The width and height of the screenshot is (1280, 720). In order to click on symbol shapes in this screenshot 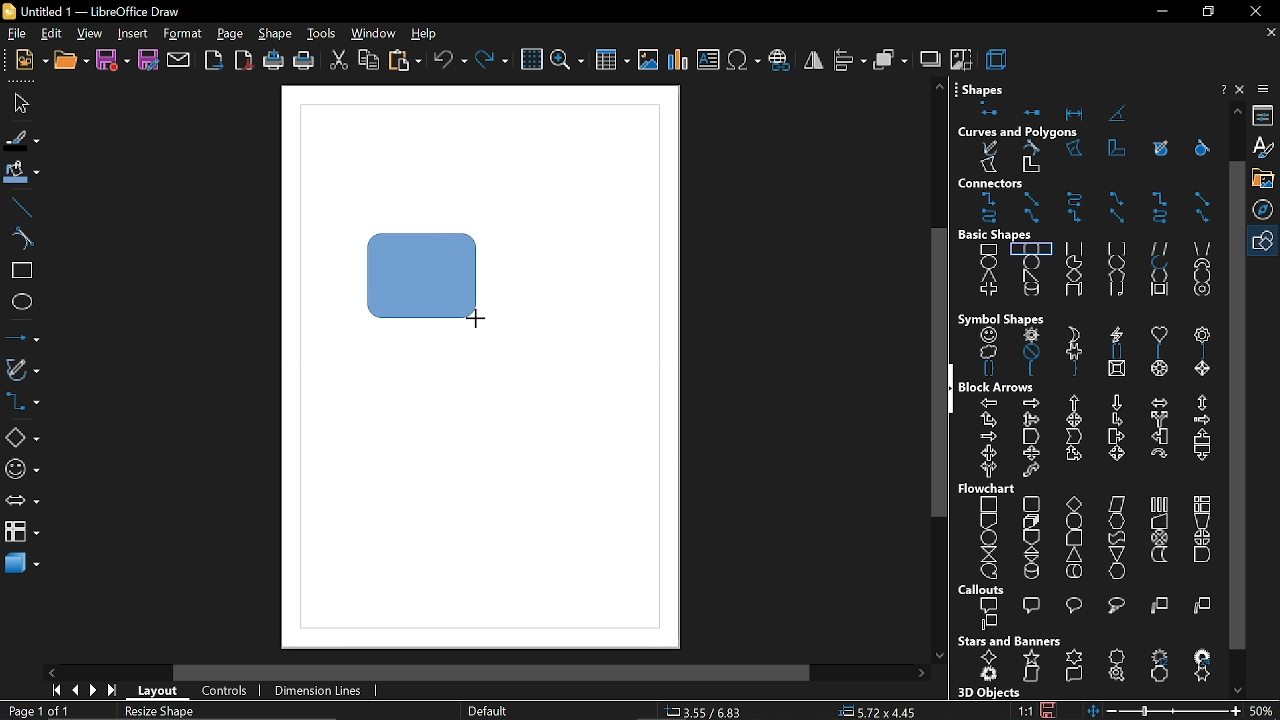, I will do `click(1093, 353)`.